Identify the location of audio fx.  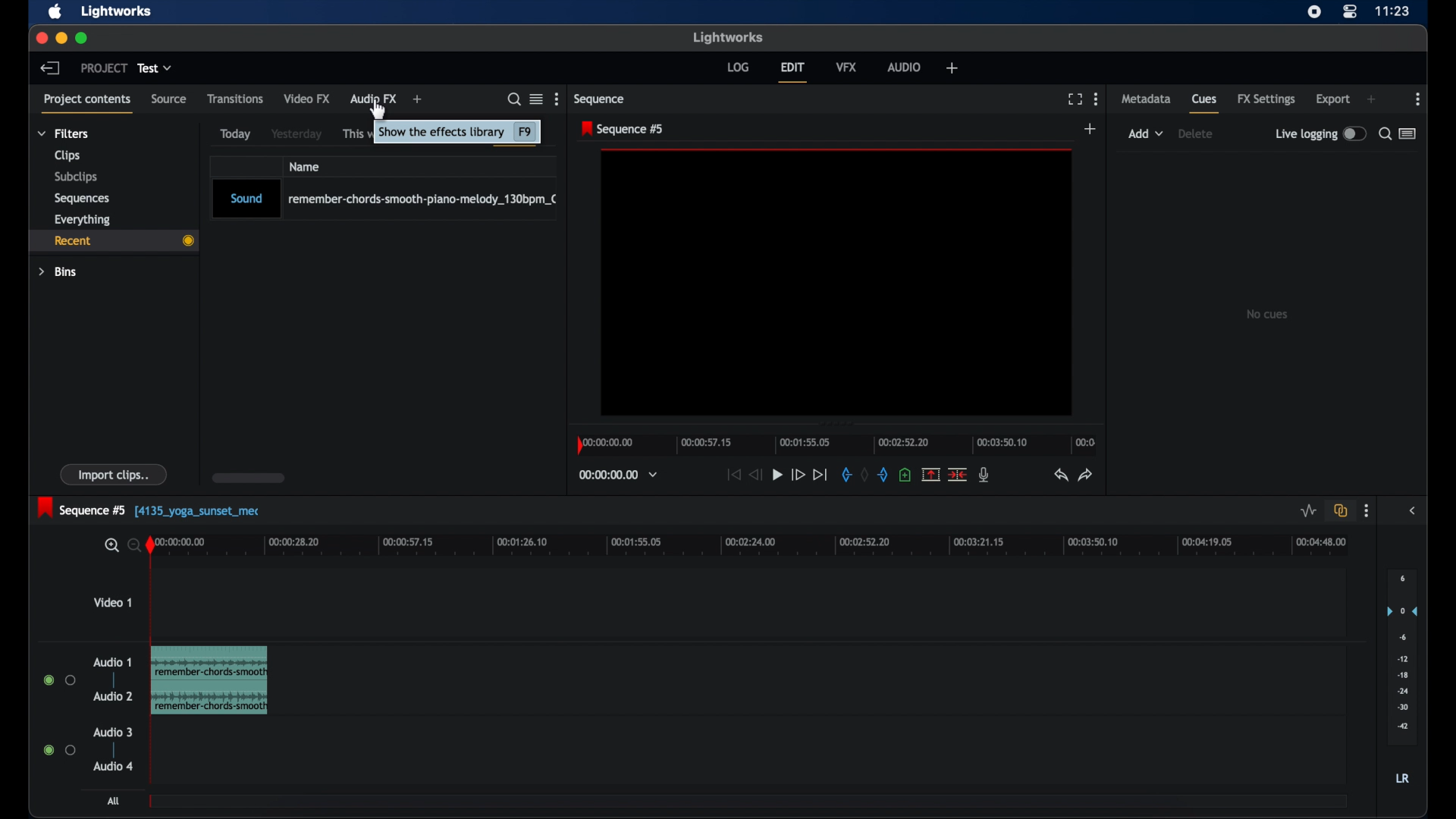
(373, 99).